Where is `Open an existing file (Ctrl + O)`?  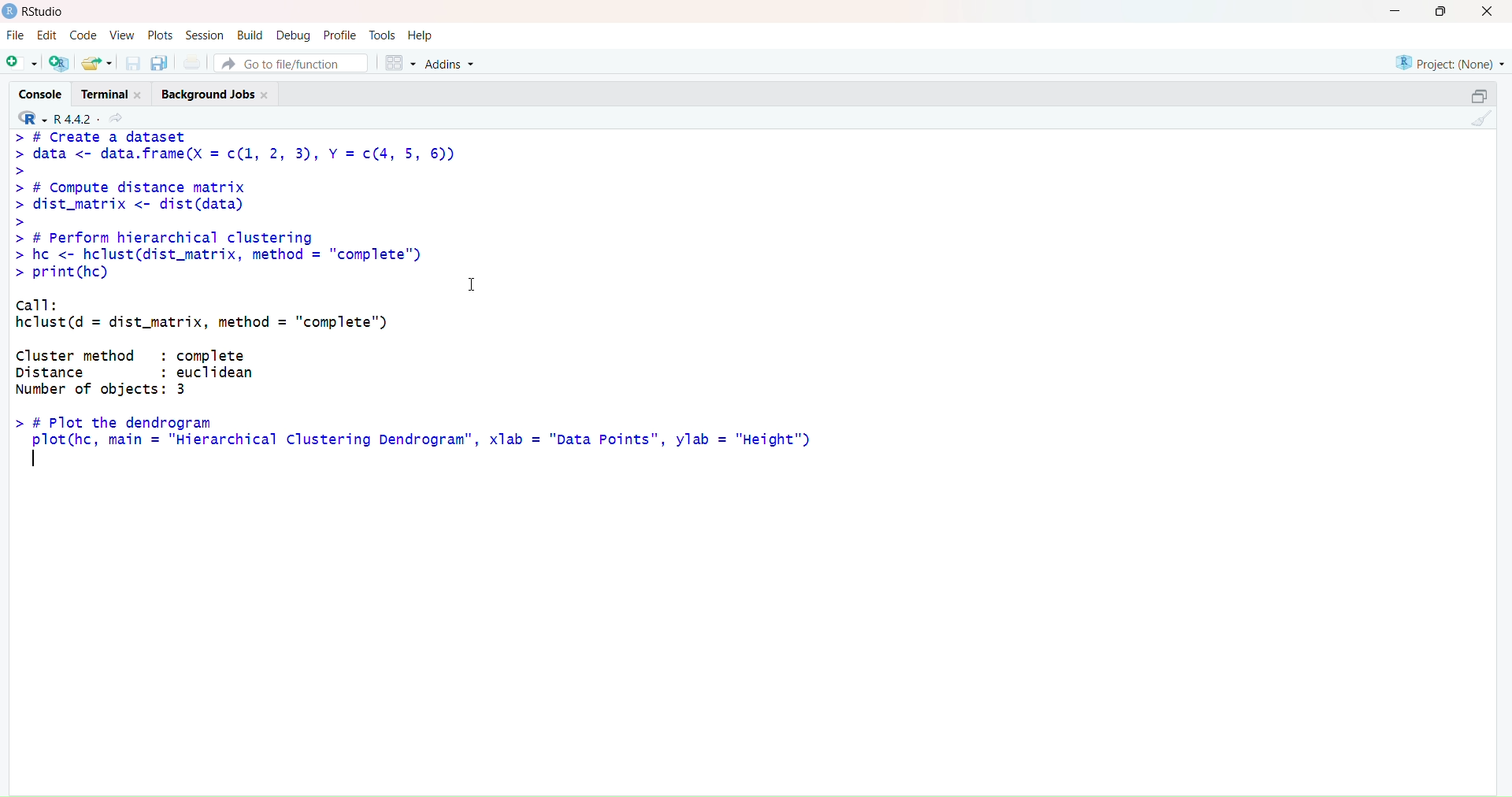
Open an existing file (Ctrl + O) is located at coordinates (97, 61).